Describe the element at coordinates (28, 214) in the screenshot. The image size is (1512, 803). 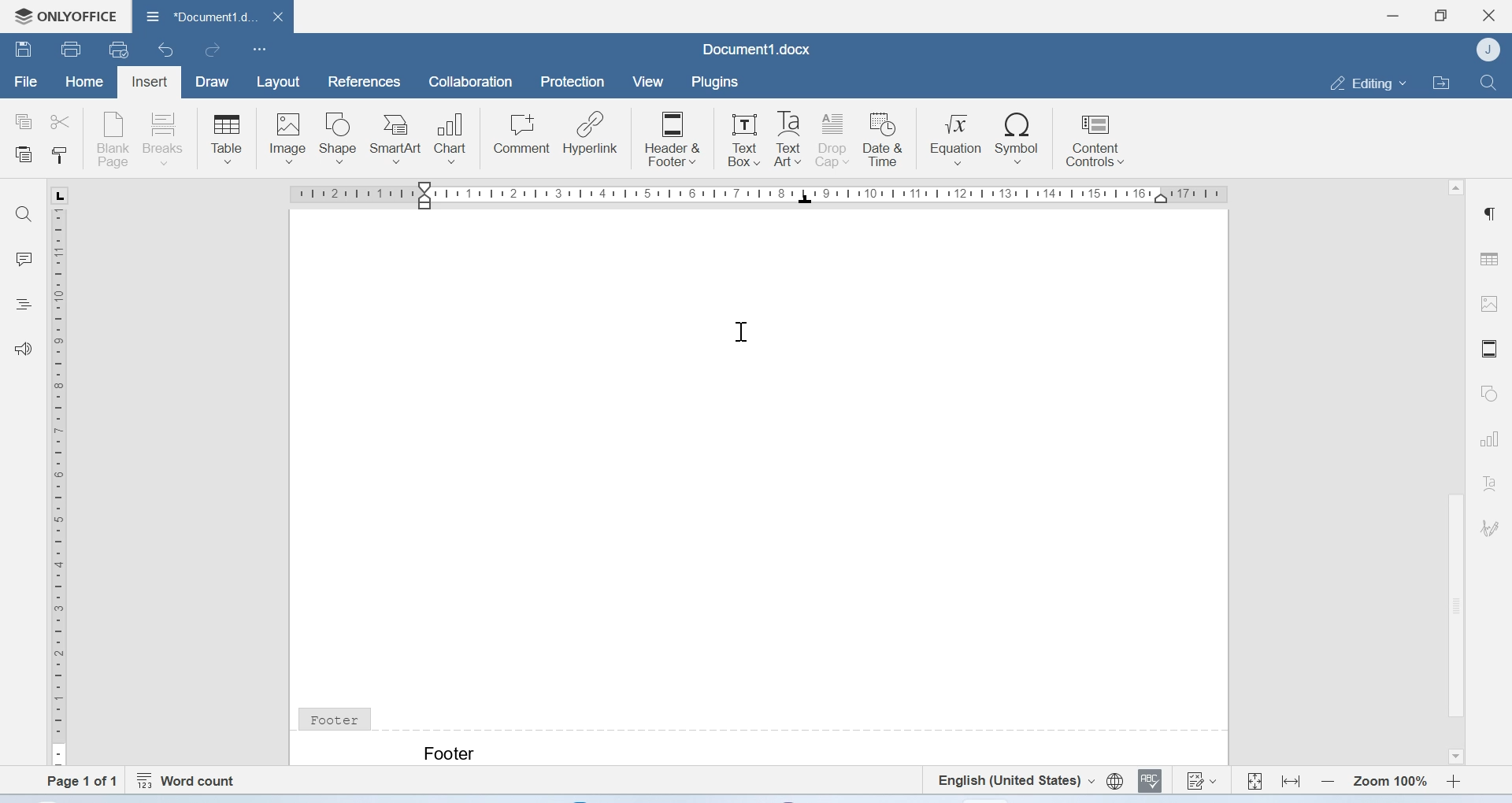
I see `Find` at that location.